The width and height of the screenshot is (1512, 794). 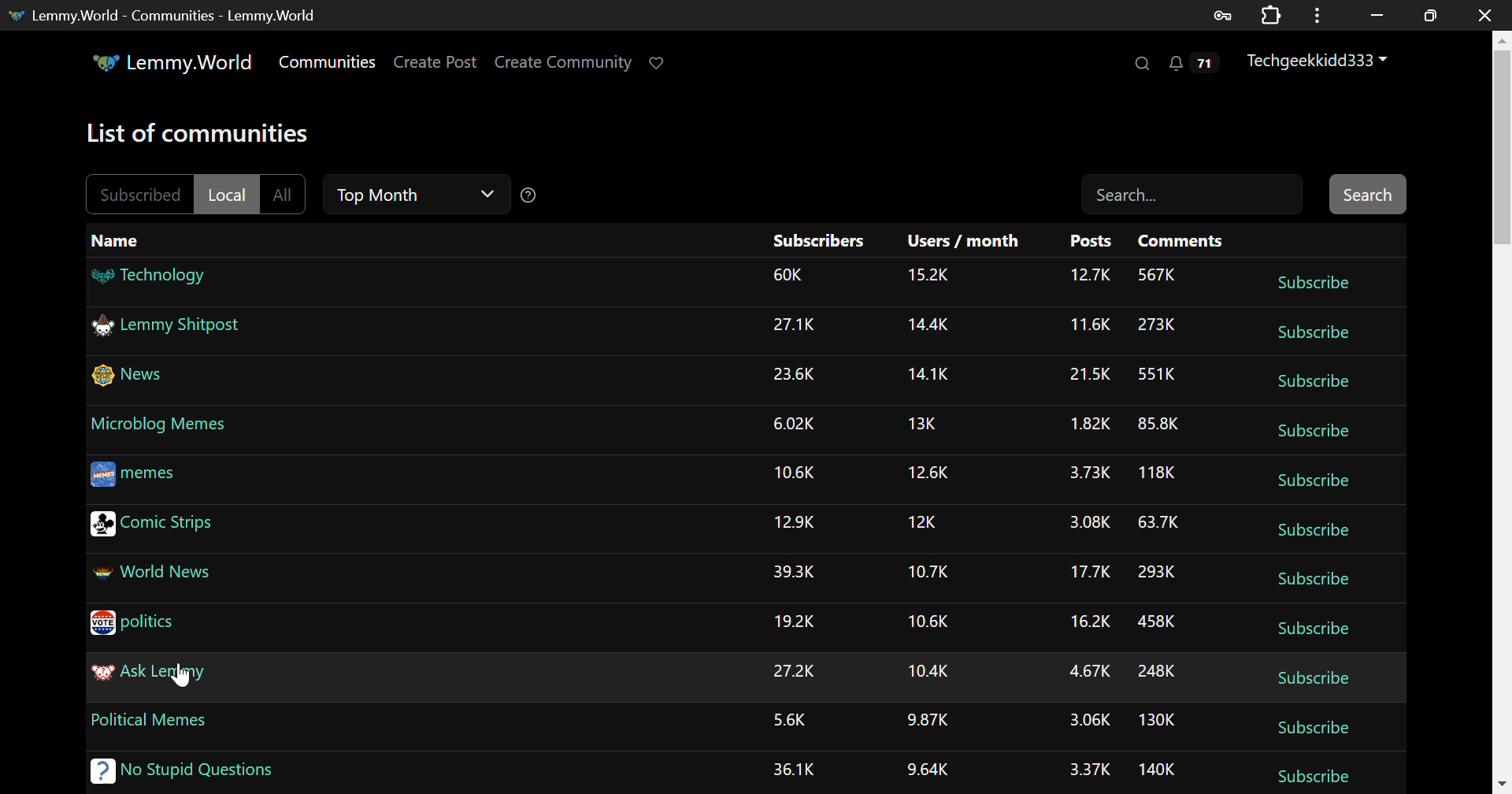 What do you see at coordinates (1158, 766) in the screenshot?
I see `Amount` at bounding box center [1158, 766].